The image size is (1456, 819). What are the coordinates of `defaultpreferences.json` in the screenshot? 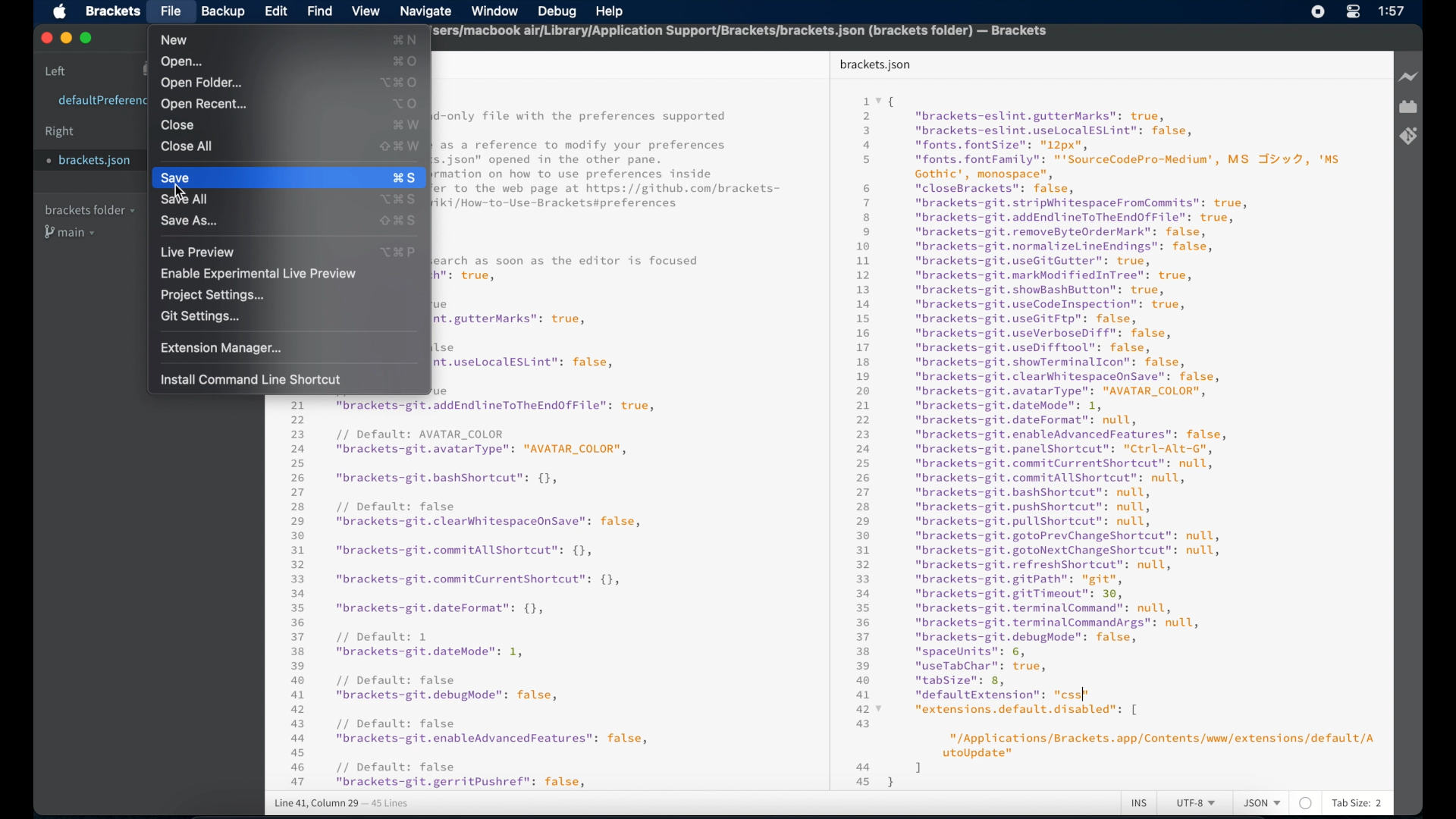 It's located at (97, 100).